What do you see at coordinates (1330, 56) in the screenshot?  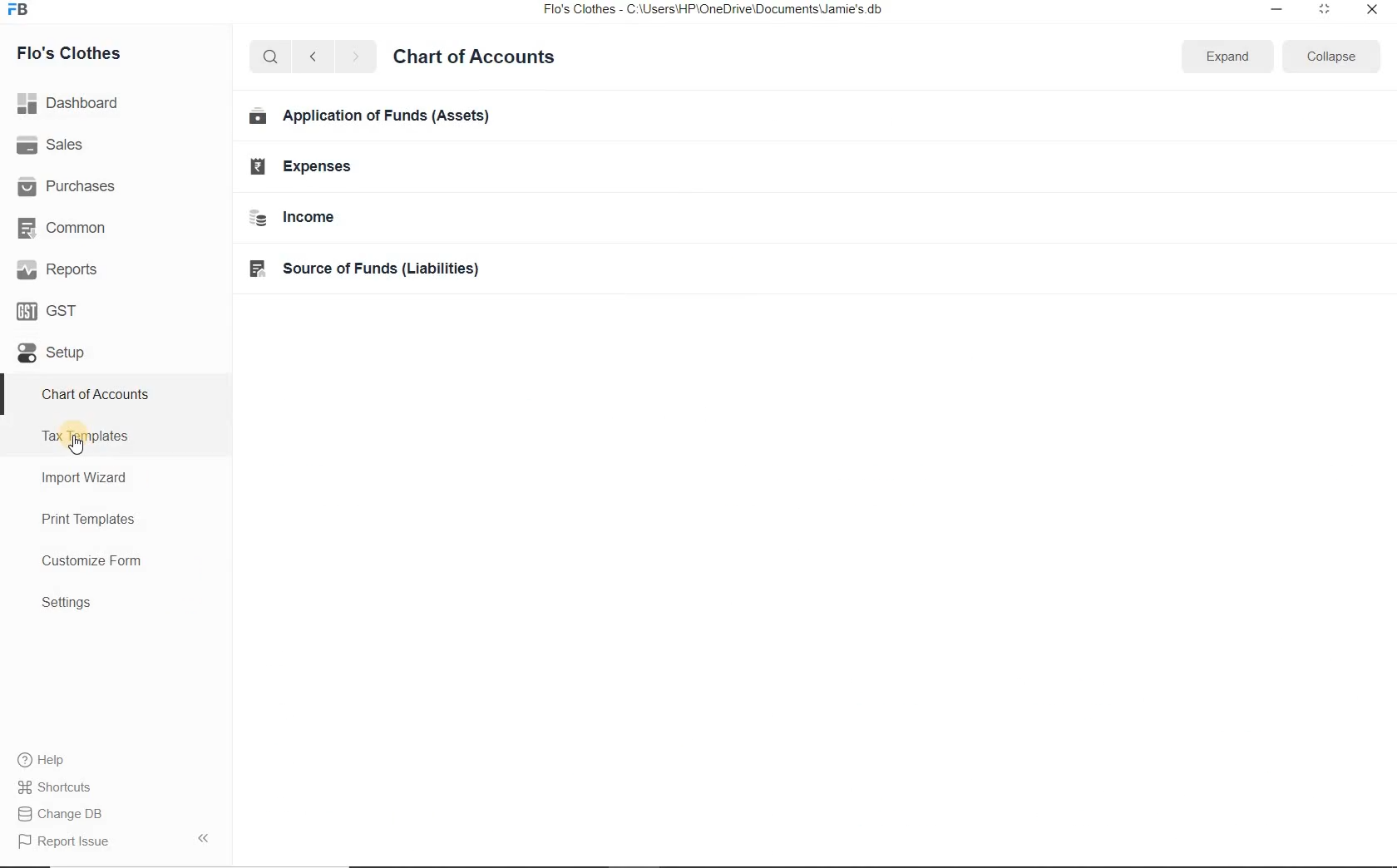 I see `Collapse` at bounding box center [1330, 56].